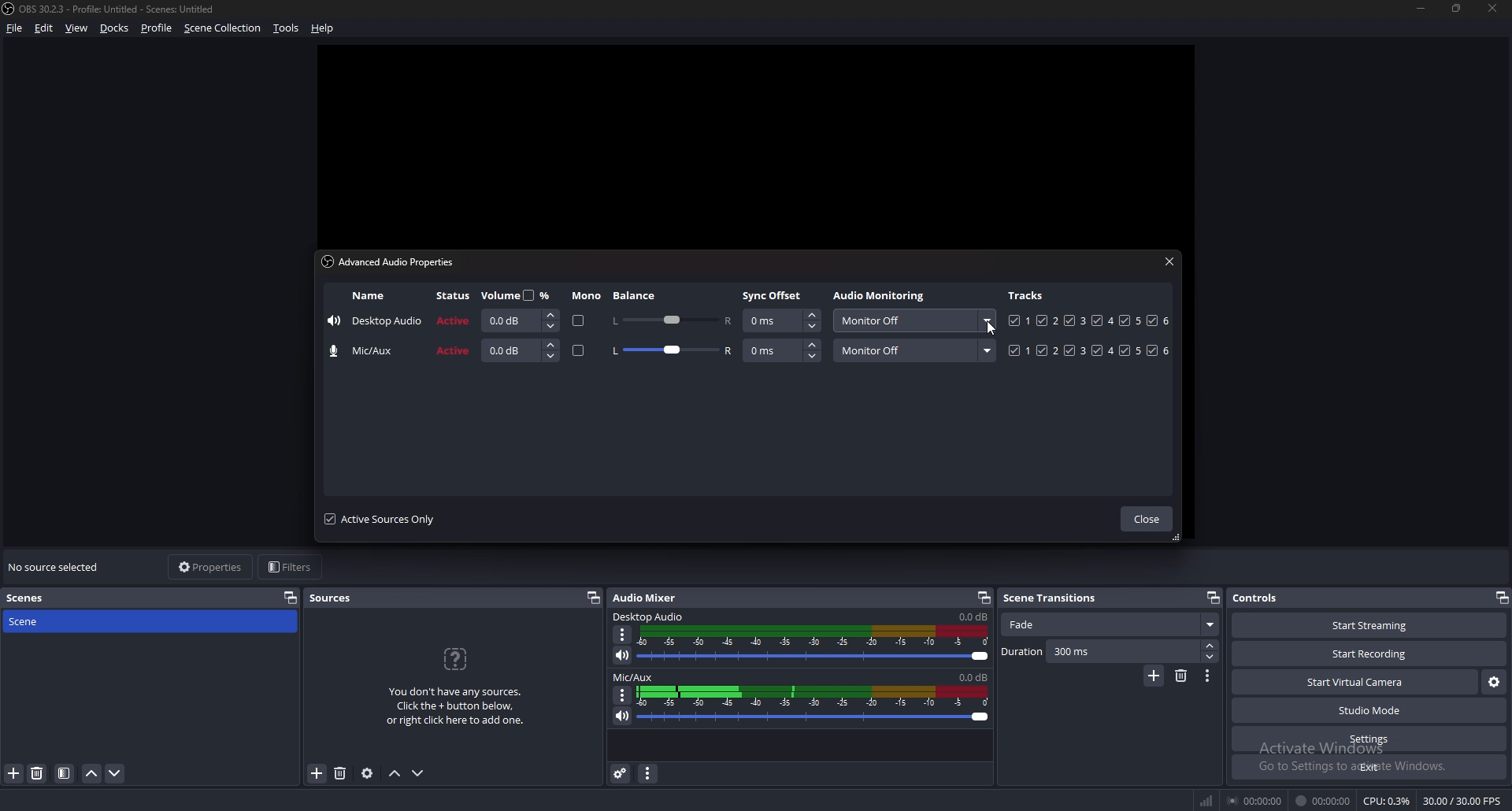 This screenshot has height=811, width=1512. Describe the element at coordinates (39, 774) in the screenshot. I see `delete scene` at that location.